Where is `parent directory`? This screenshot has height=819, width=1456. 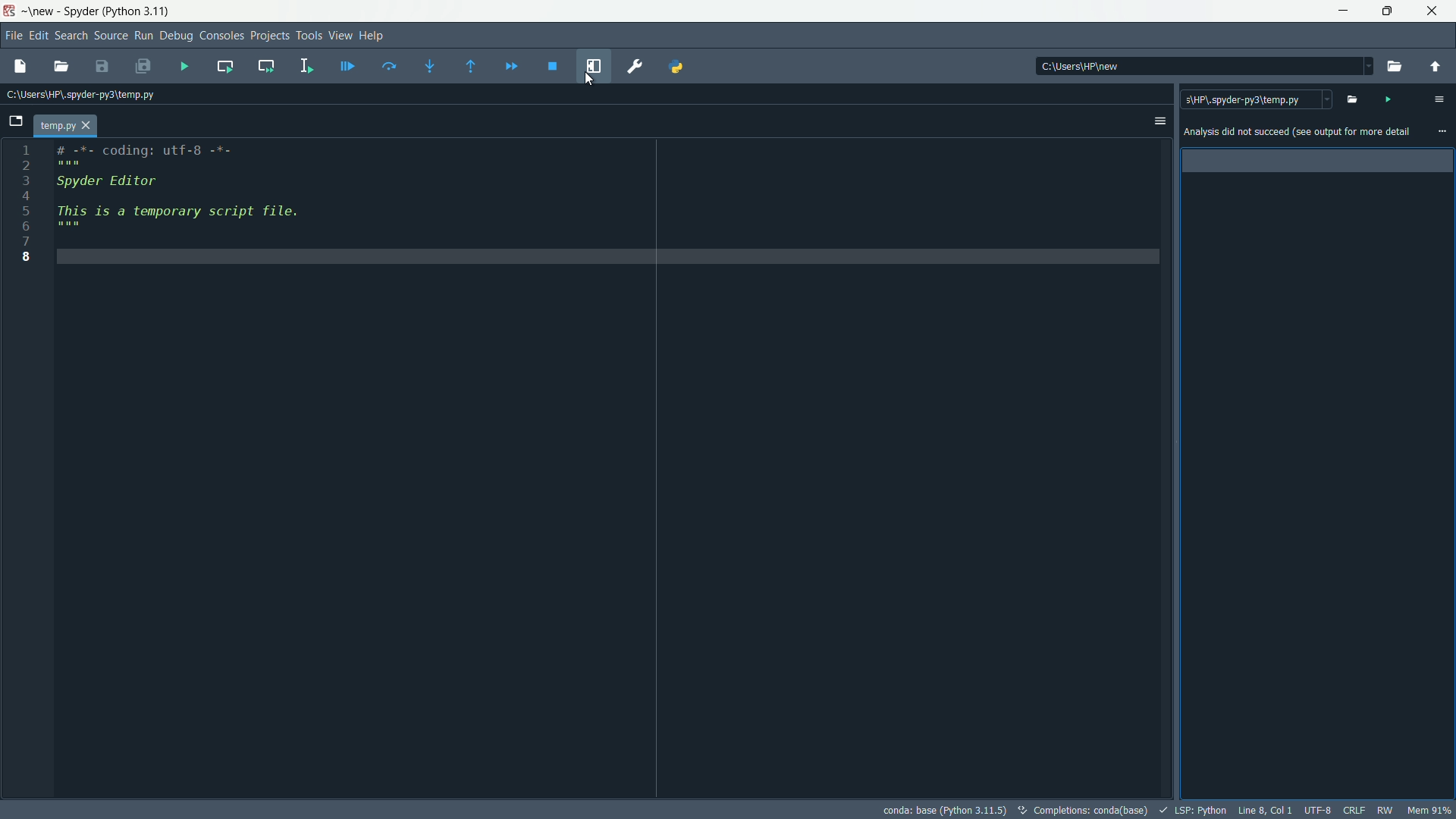
parent directory is located at coordinates (1435, 67).